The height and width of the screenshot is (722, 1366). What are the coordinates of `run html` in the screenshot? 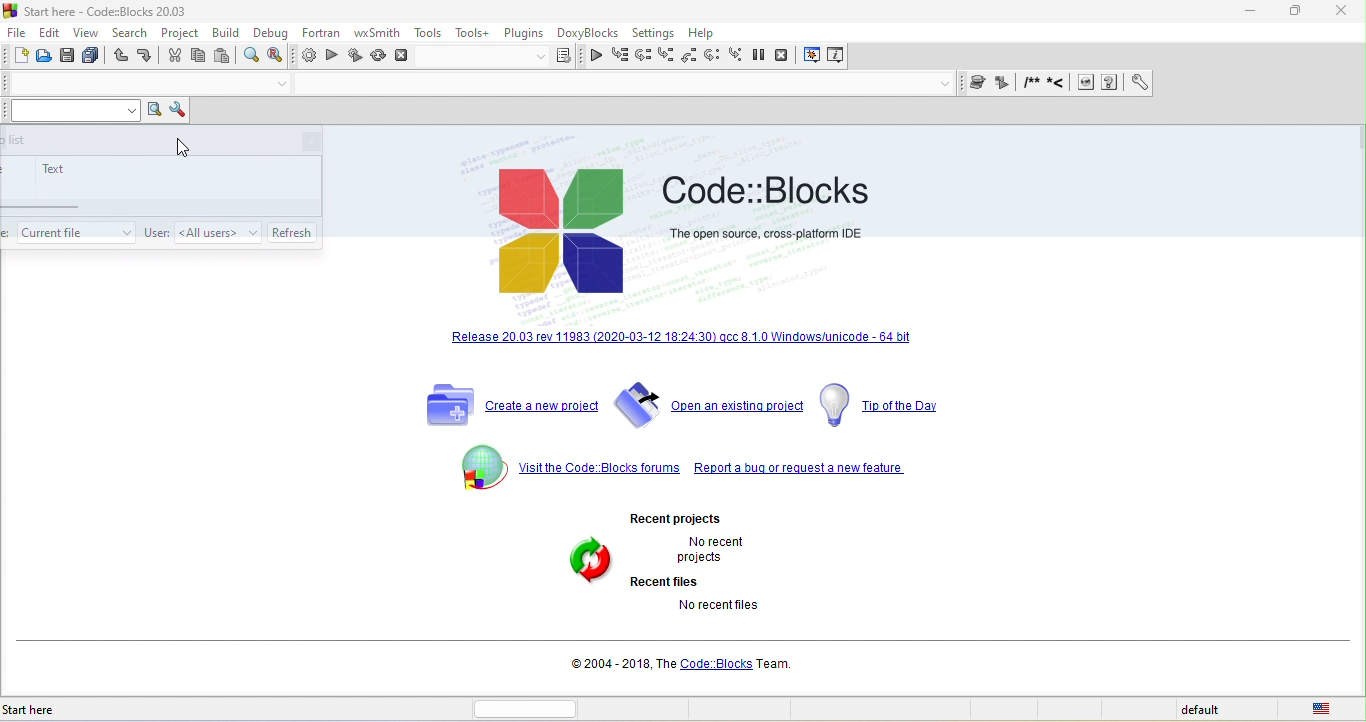 It's located at (1086, 84).